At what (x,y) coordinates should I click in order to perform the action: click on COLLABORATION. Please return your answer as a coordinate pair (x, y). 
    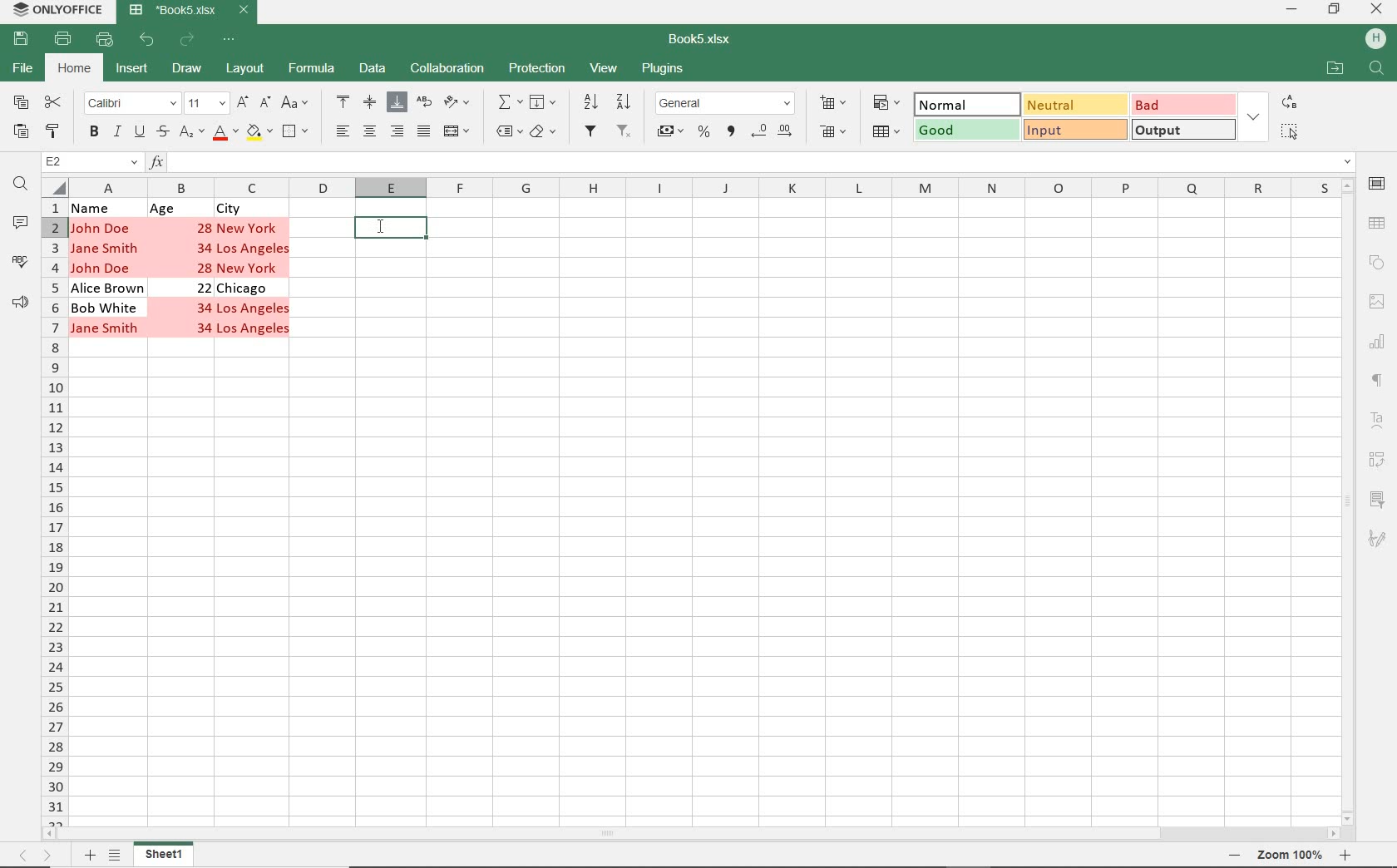
    Looking at the image, I should click on (447, 69).